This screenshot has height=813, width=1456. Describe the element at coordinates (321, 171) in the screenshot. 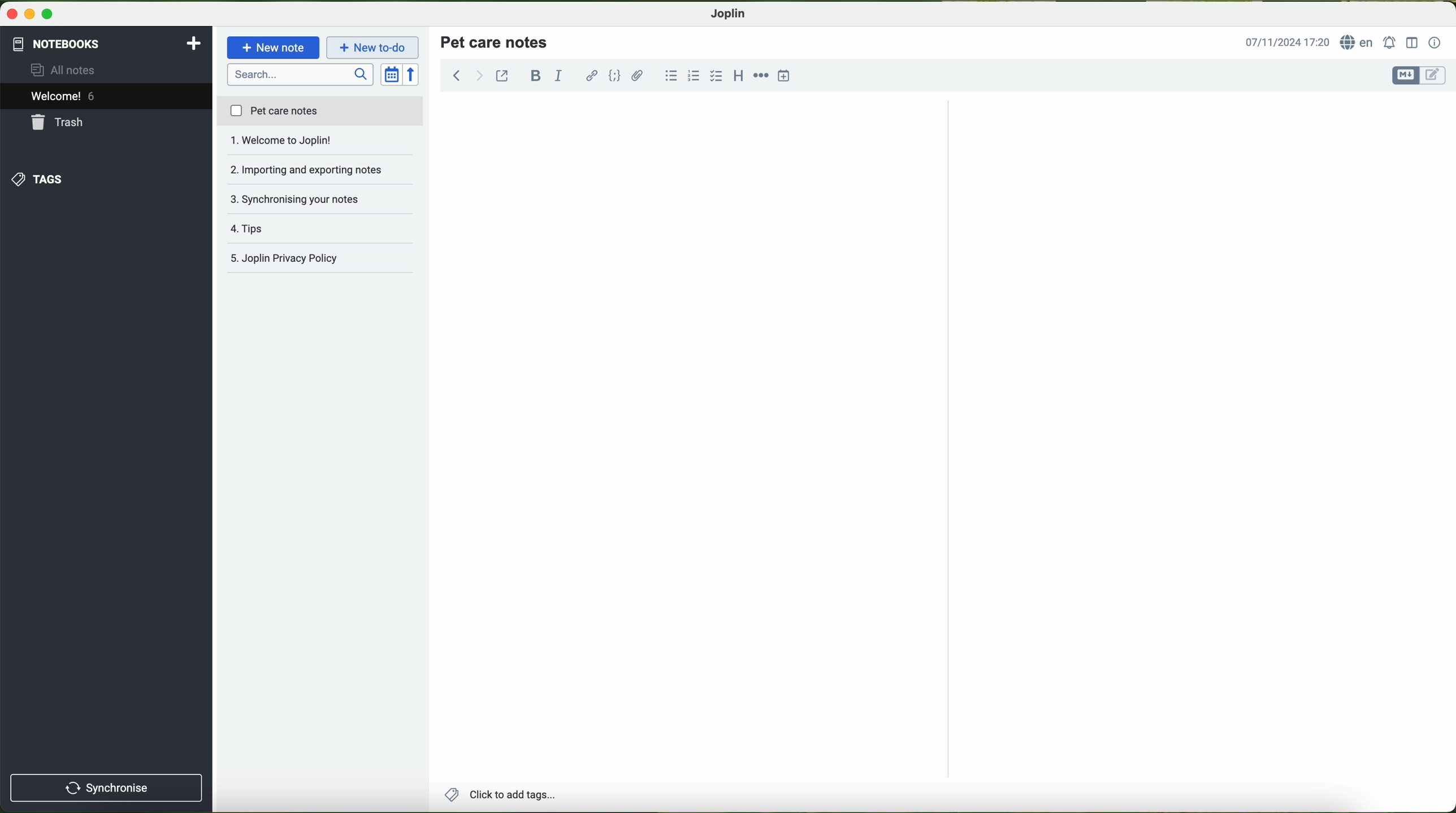

I see `synchronising your notes` at that location.